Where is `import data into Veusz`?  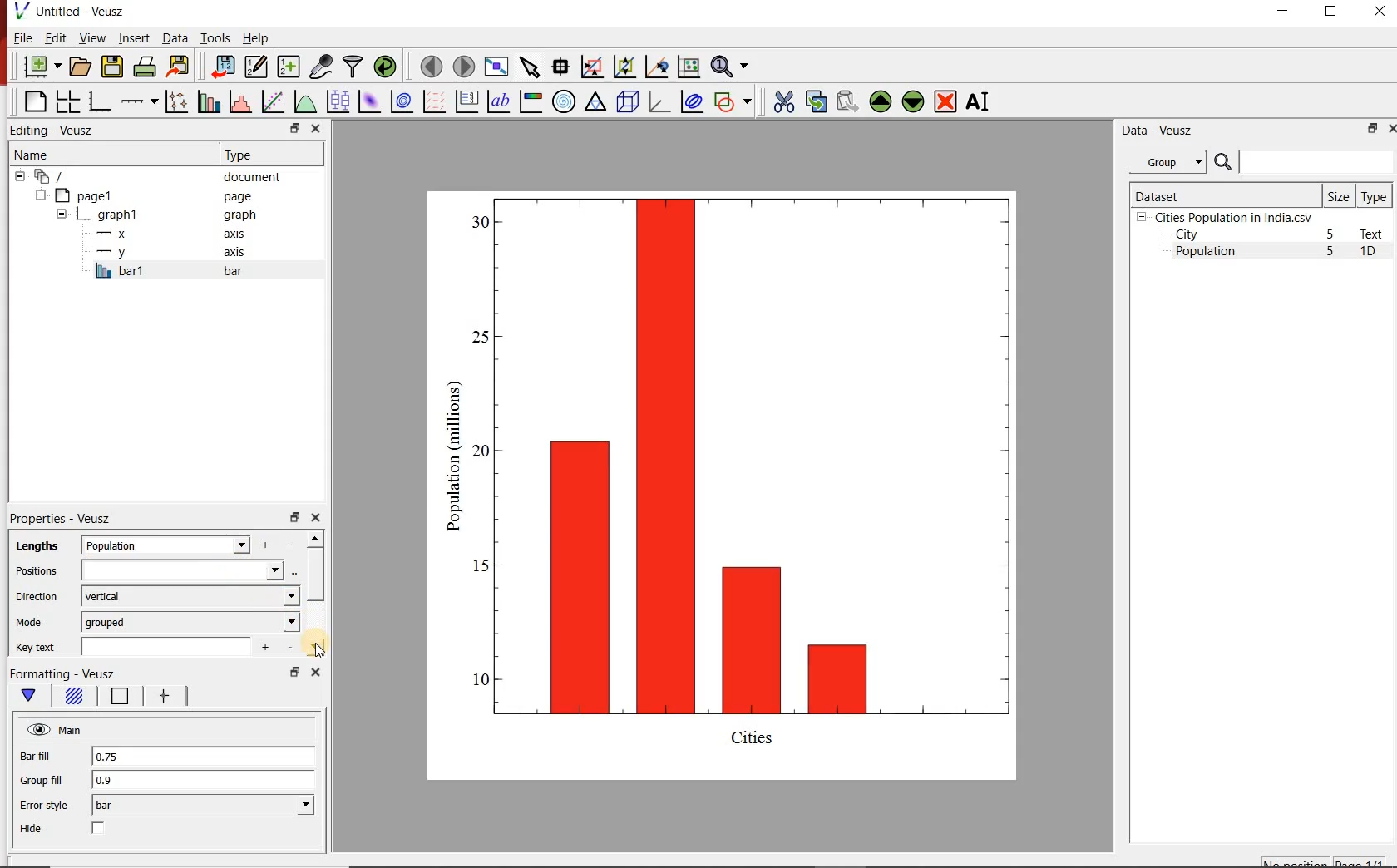 import data into Veusz is located at coordinates (222, 66).